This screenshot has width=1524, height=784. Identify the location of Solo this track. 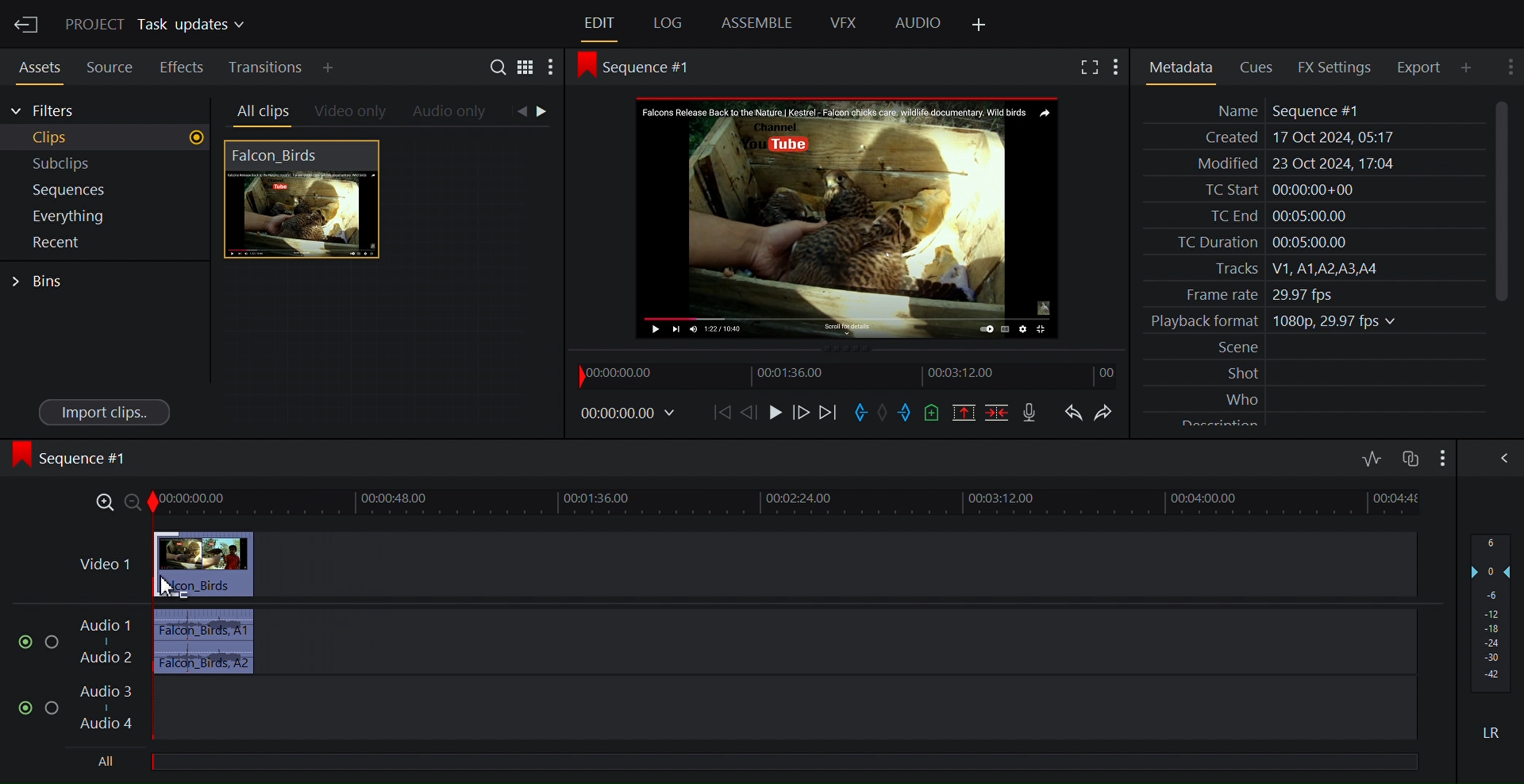
(53, 709).